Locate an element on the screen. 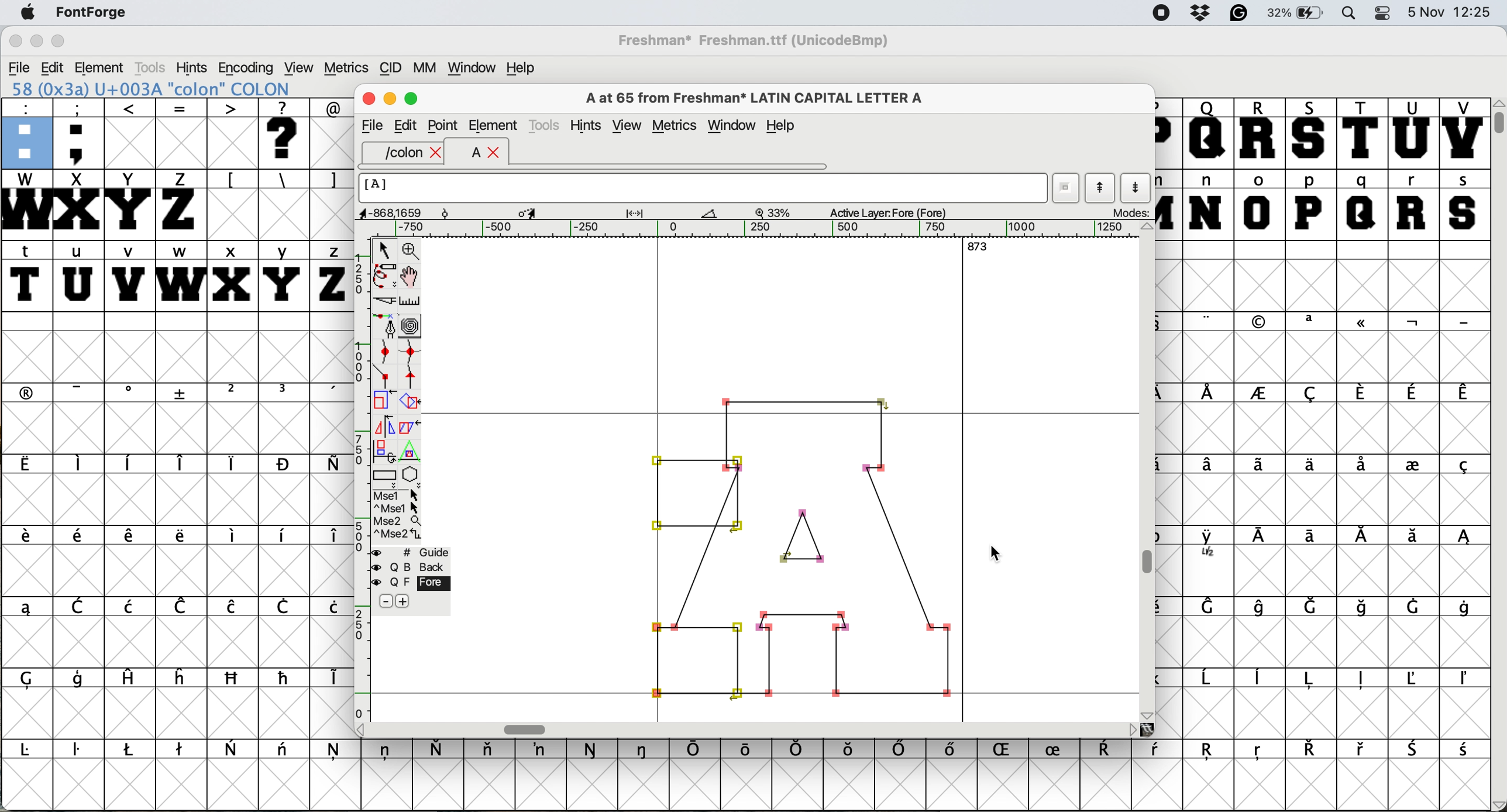 Image resolution: width=1507 pixels, height=812 pixels. grammarly is located at coordinates (1242, 15).